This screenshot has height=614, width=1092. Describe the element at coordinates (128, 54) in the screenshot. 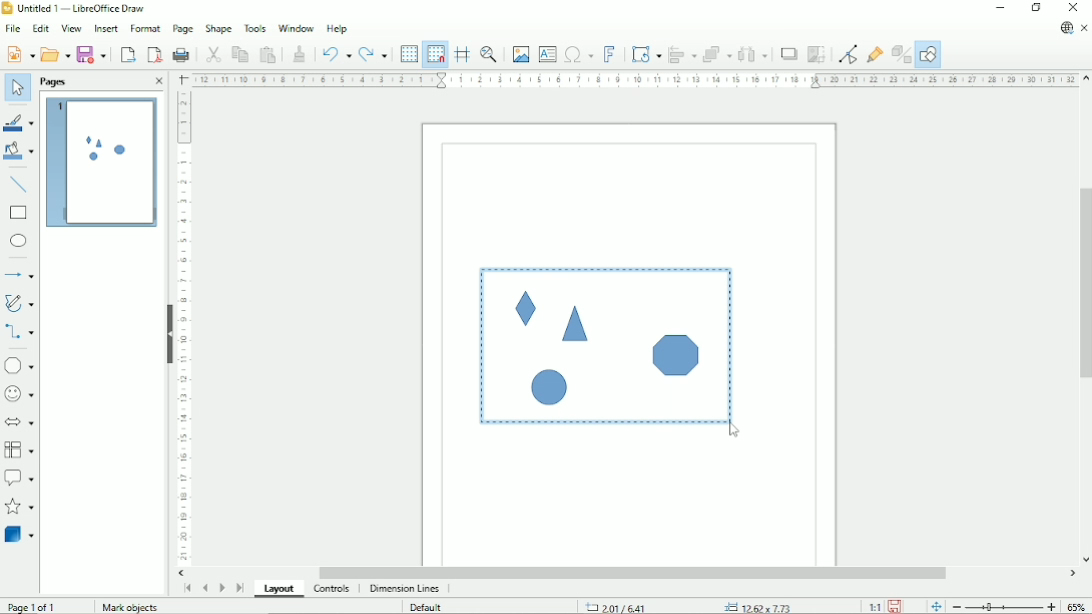

I see `Export` at that location.